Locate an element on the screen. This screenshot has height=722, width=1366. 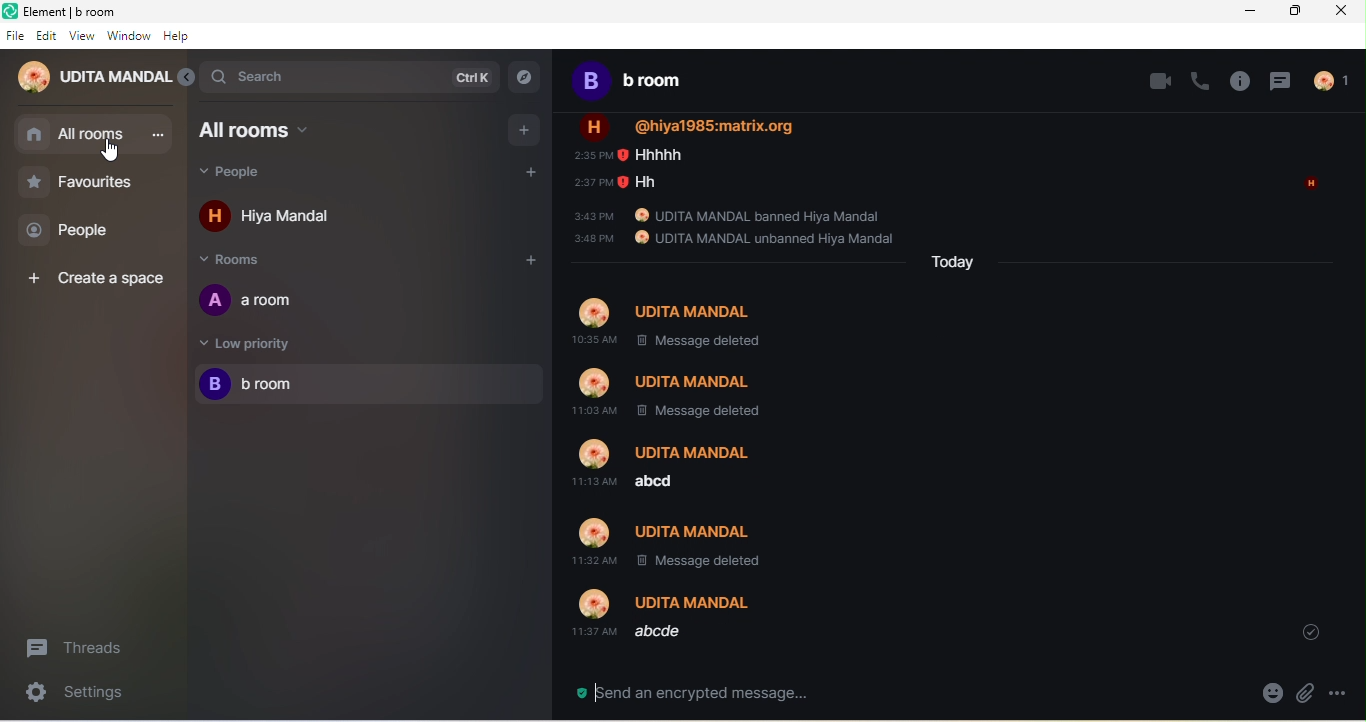
favourites is located at coordinates (94, 181).